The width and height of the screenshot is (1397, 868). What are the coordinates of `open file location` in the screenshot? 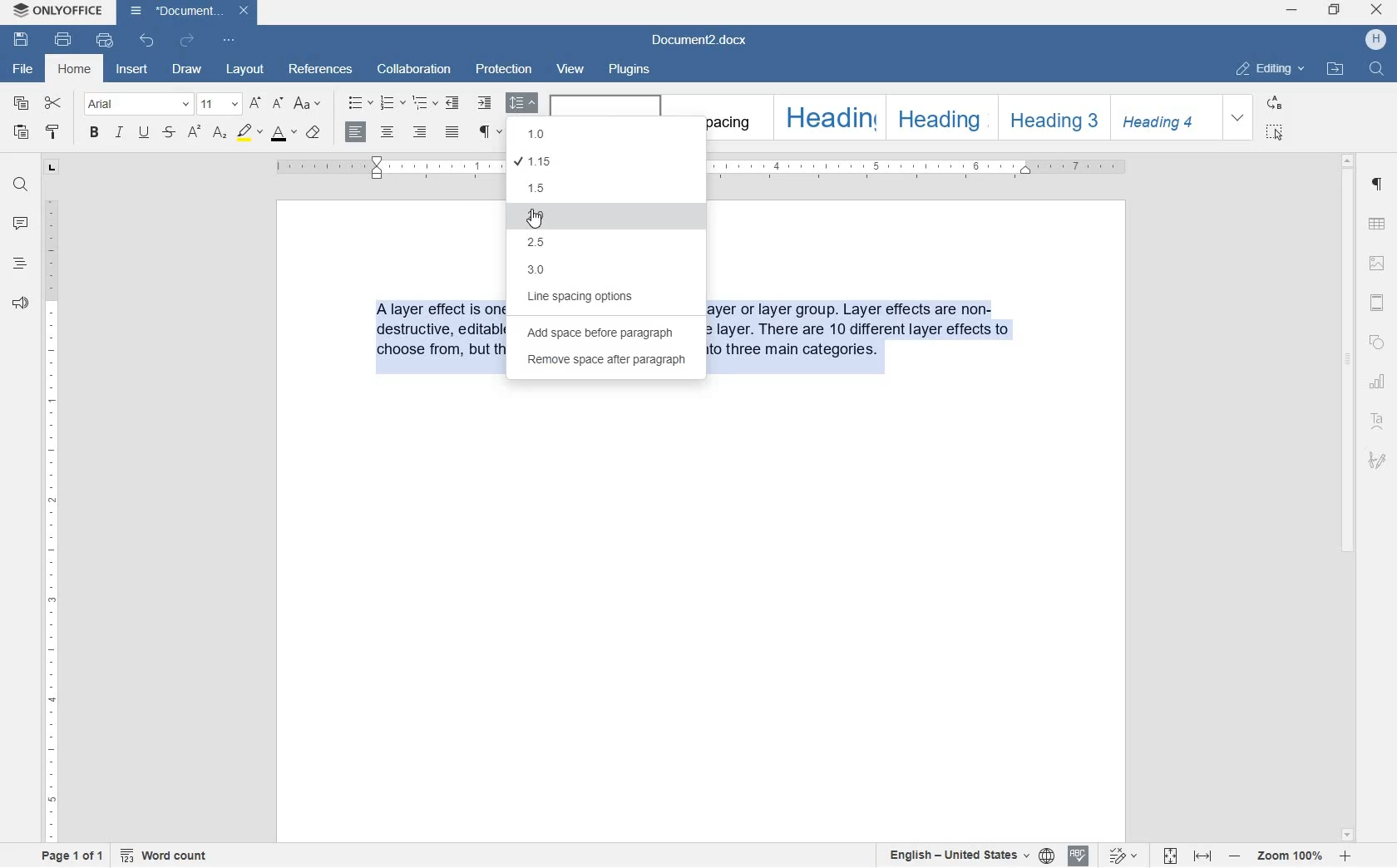 It's located at (1336, 70).